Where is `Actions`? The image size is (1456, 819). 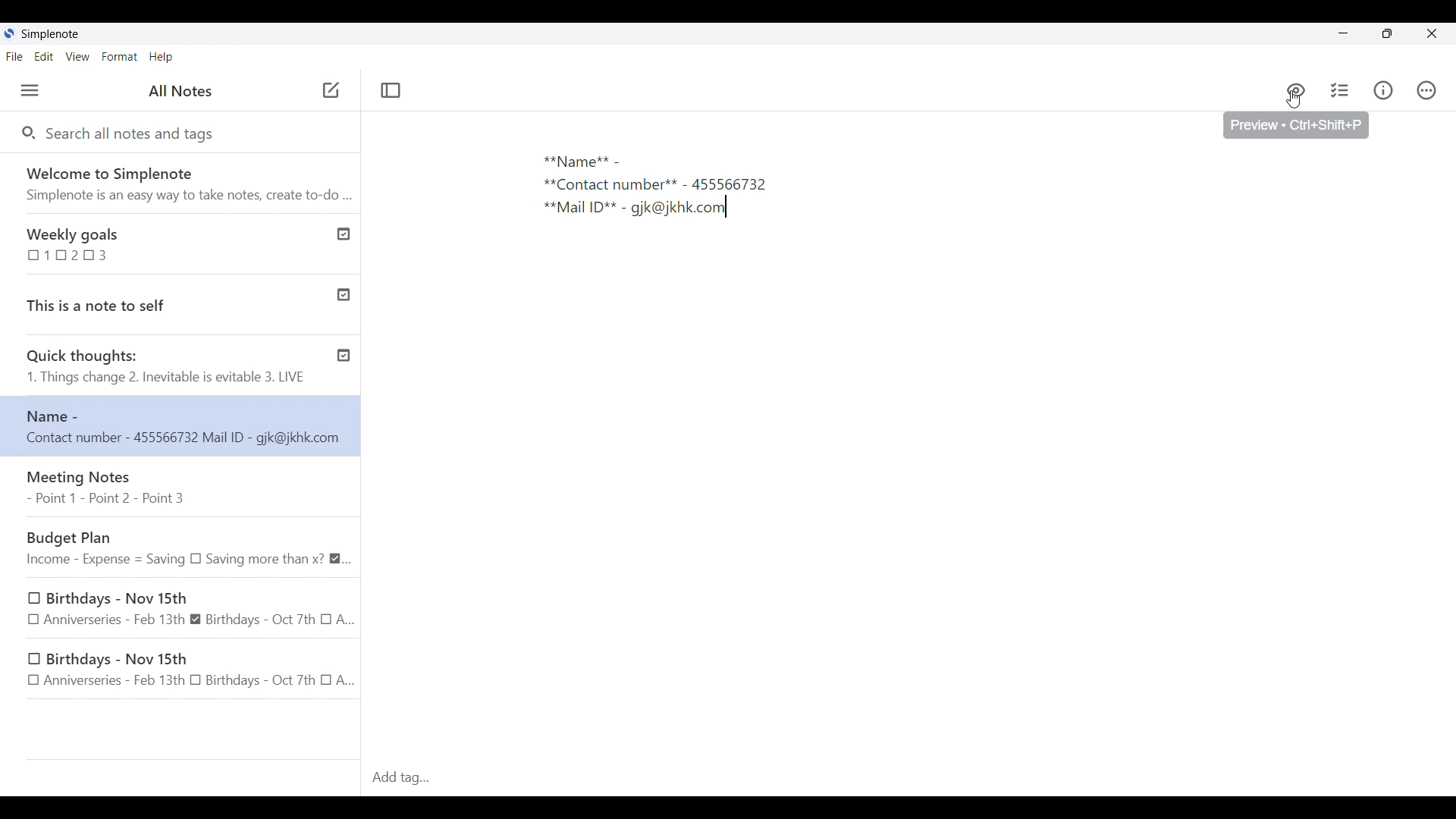
Actions is located at coordinates (1427, 89).